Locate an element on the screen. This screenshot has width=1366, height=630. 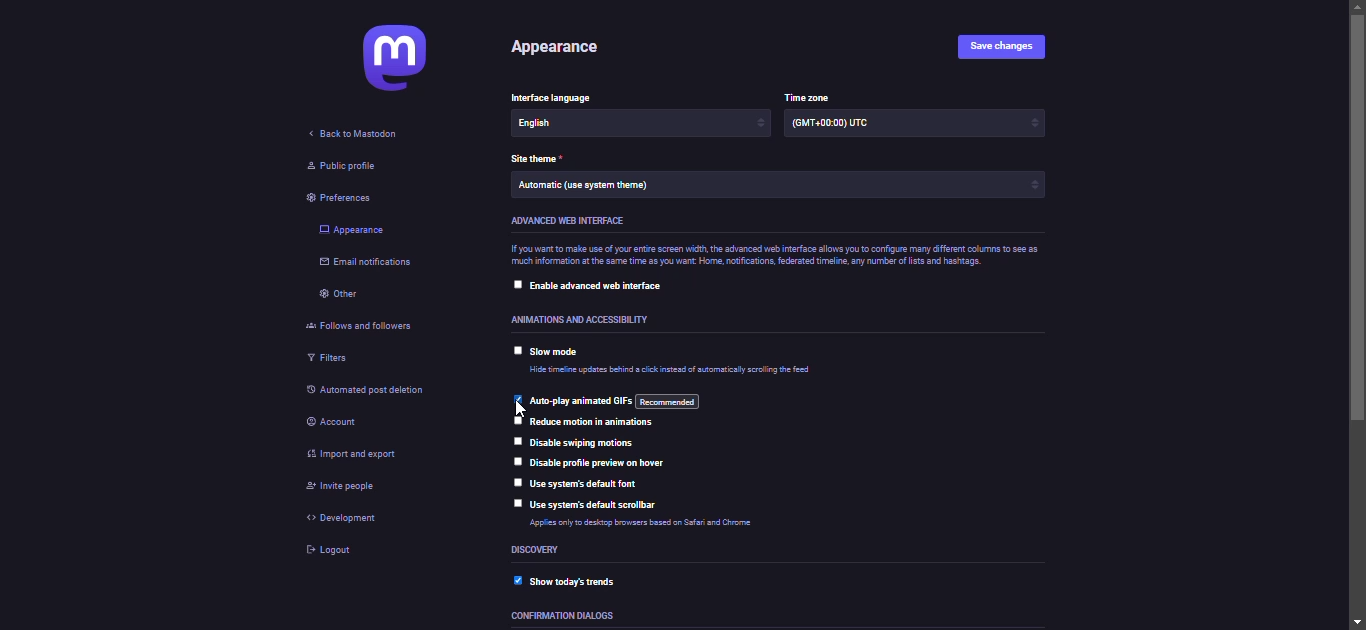
automated post deletion is located at coordinates (372, 390).